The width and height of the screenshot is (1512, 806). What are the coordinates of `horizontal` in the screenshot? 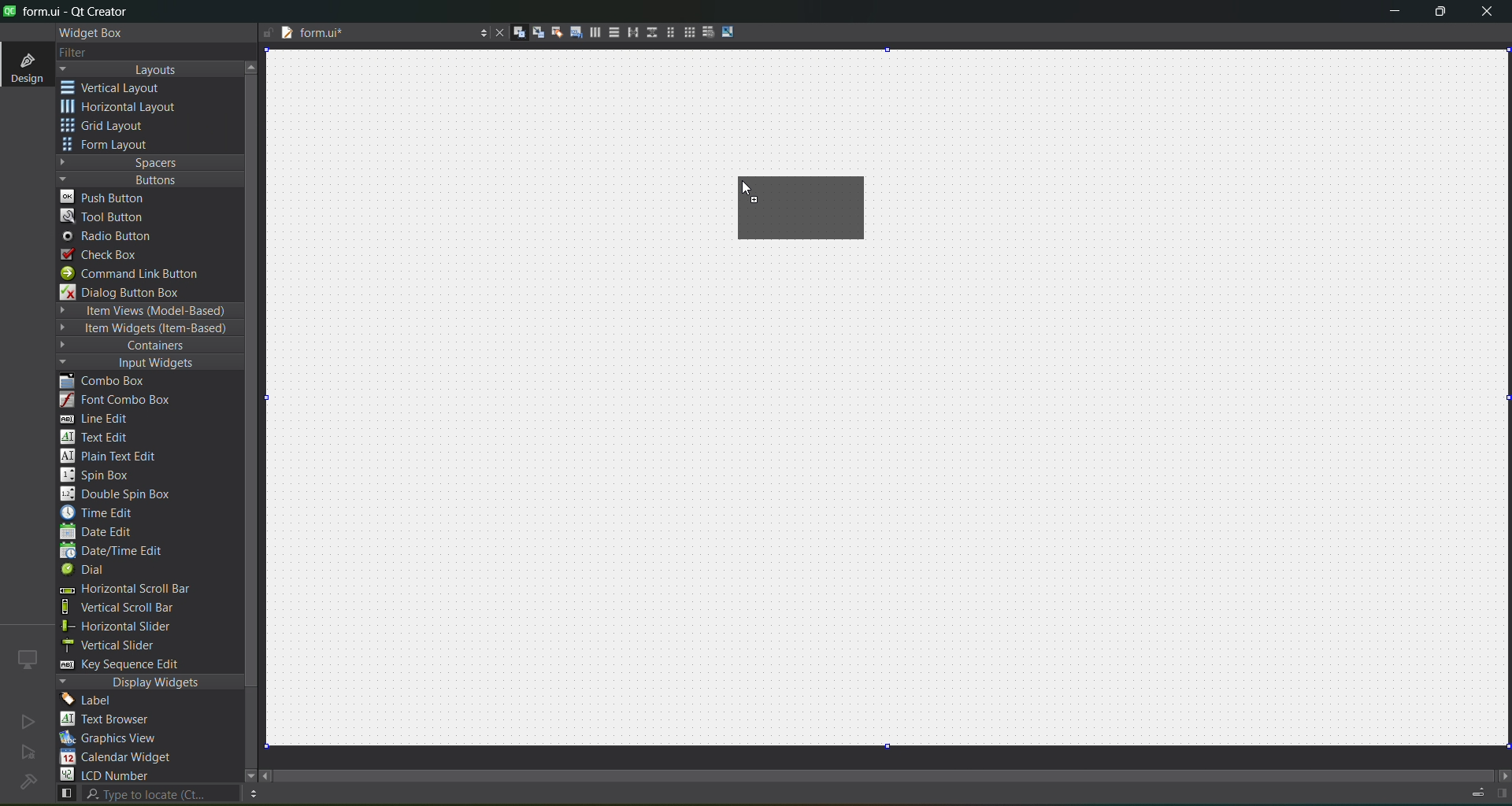 It's located at (122, 109).